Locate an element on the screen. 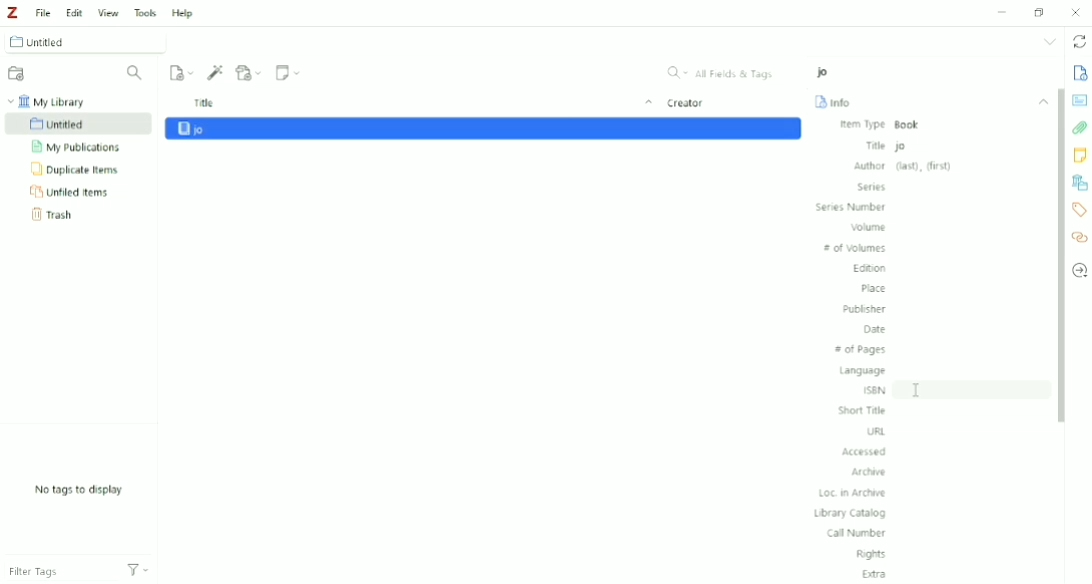 Image resolution: width=1092 pixels, height=584 pixels. Date is located at coordinates (872, 329).